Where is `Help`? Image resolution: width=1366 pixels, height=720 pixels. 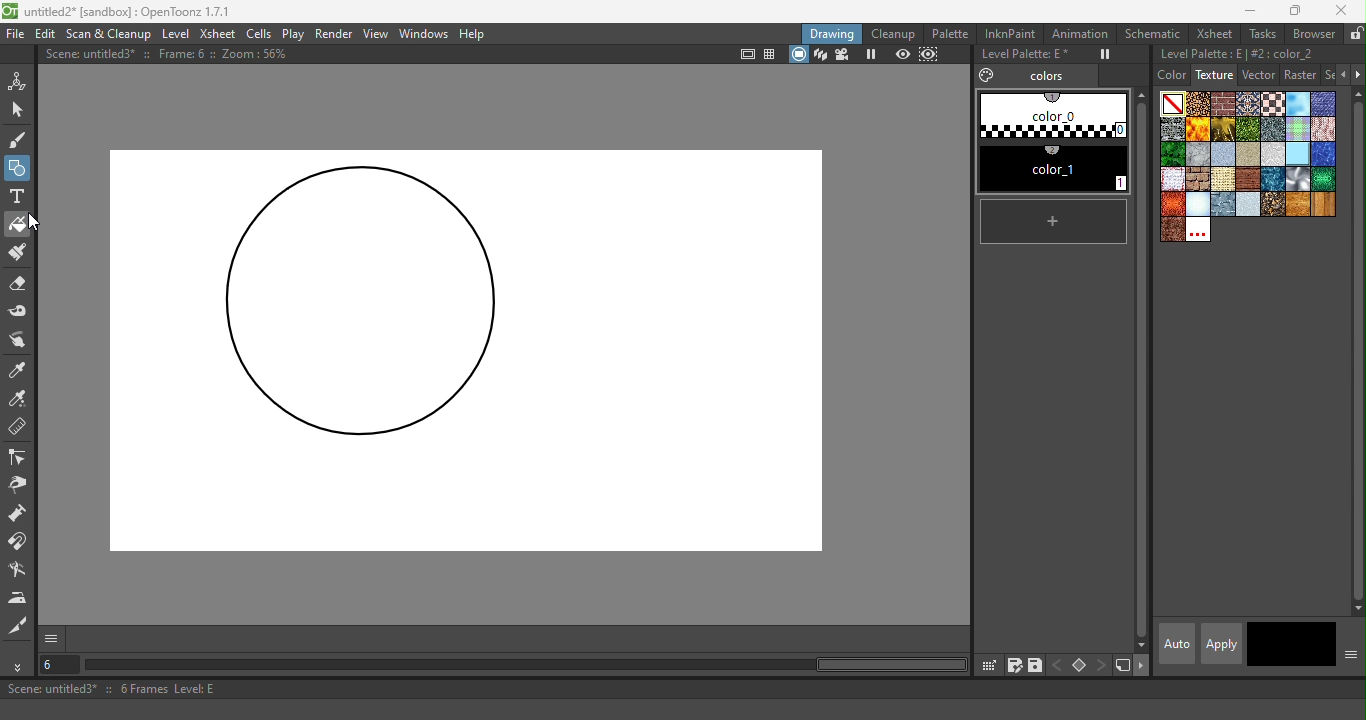
Help is located at coordinates (472, 34).